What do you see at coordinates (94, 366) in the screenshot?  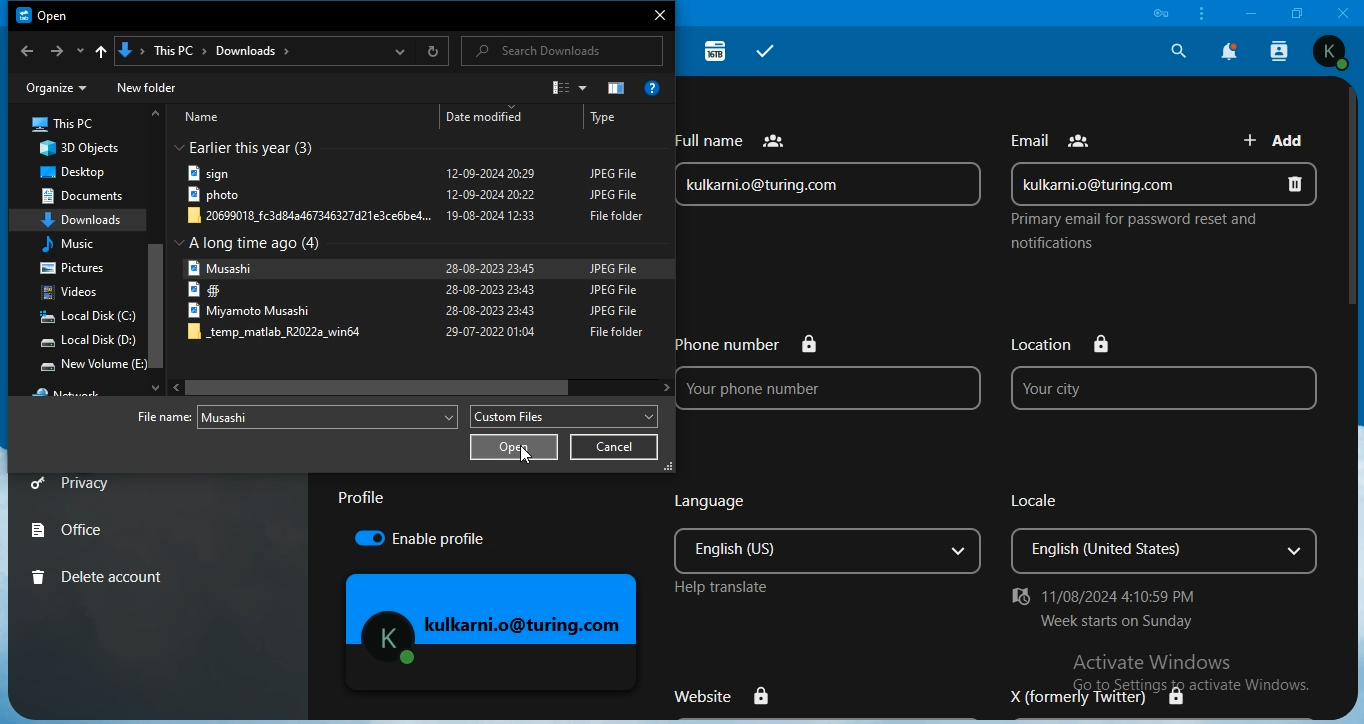 I see `new volume e` at bounding box center [94, 366].